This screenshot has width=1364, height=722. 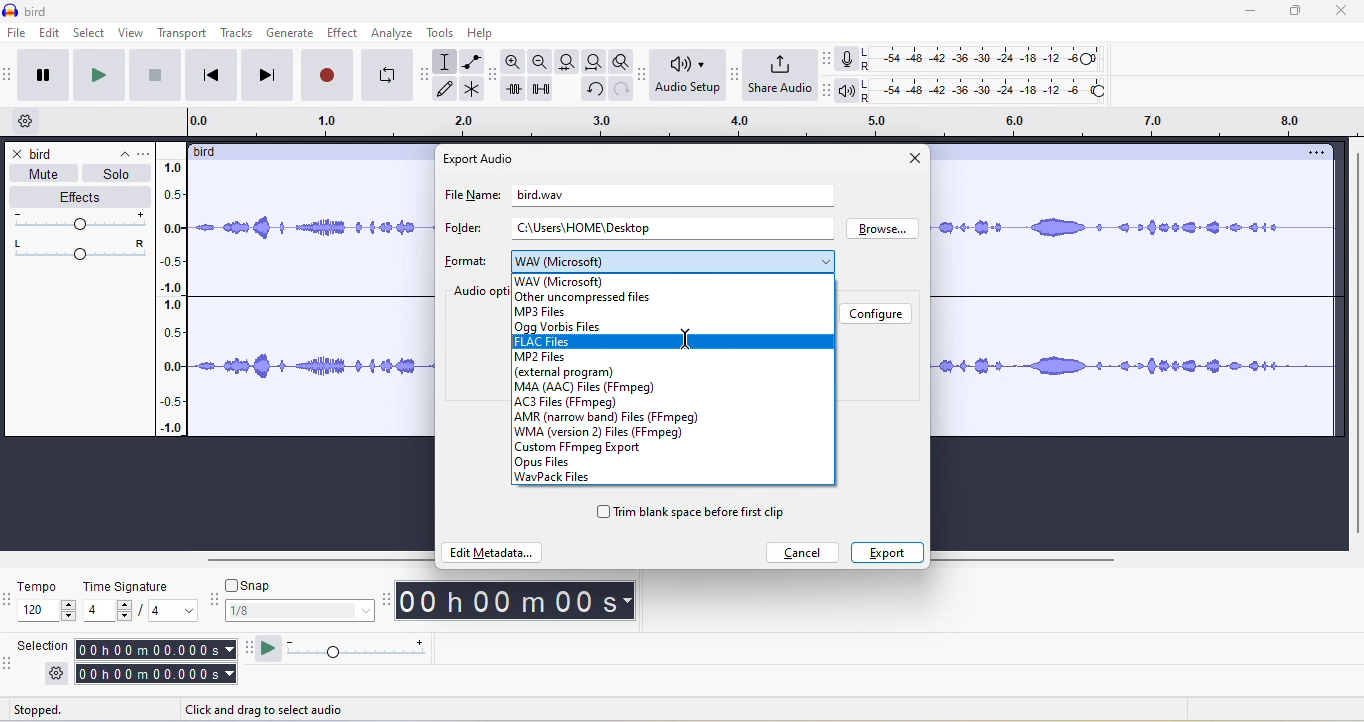 What do you see at coordinates (469, 199) in the screenshot?
I see `file name` at bounding box center [469, 199].